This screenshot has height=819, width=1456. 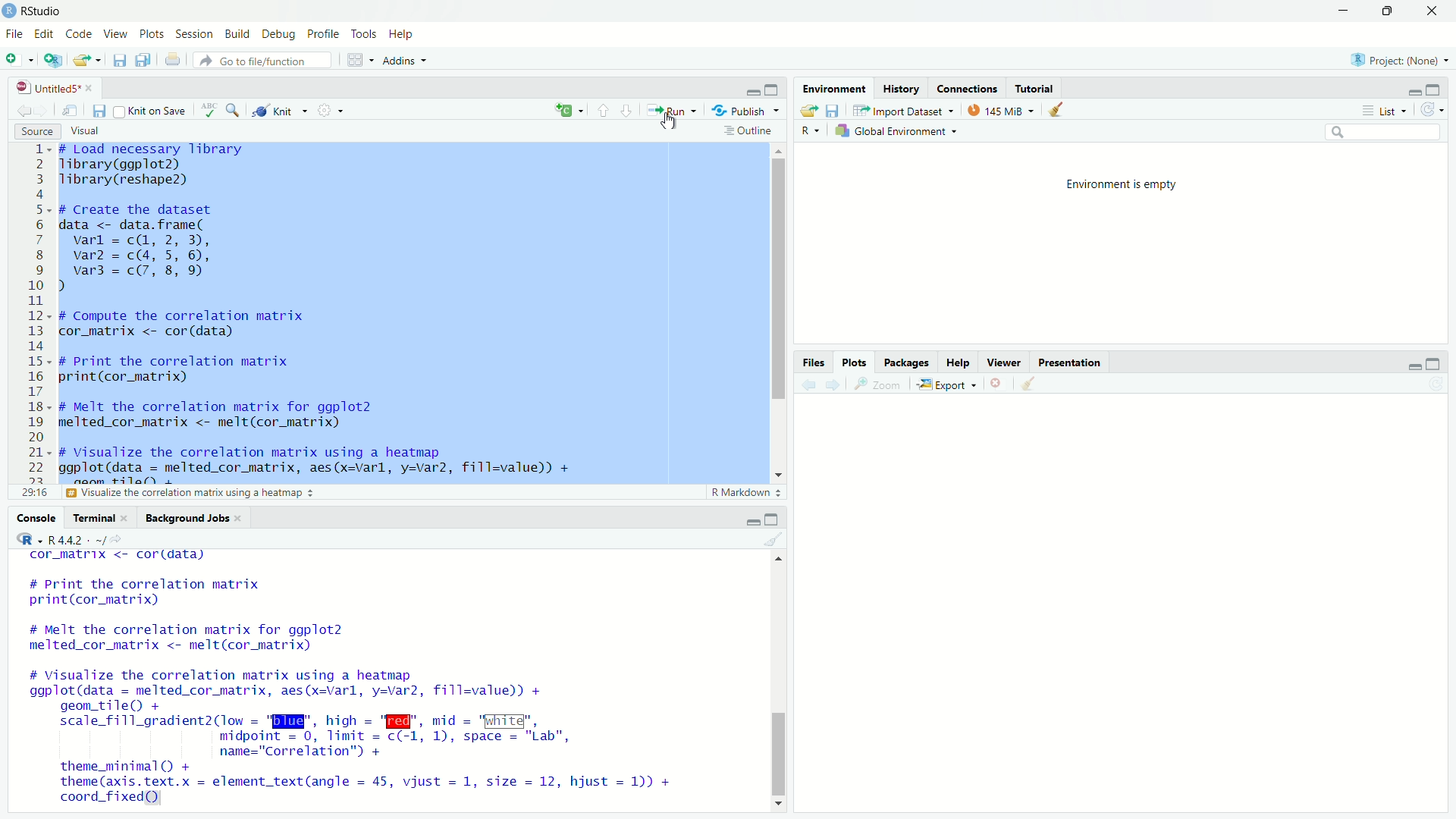 I want to click on cursor, so click(x=670, y=124).